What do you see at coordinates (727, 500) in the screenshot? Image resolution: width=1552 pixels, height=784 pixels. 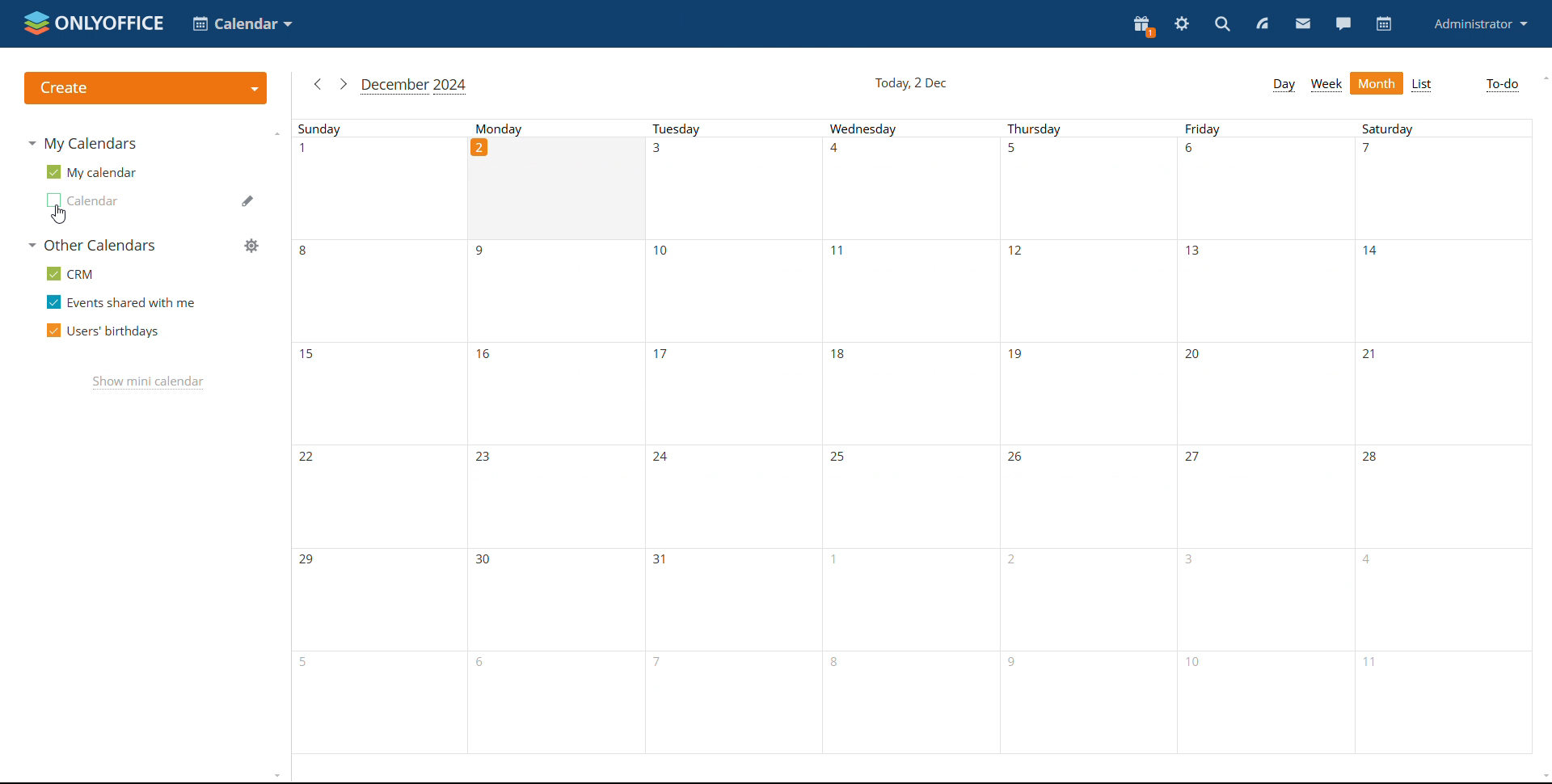 I see `24` at bounding box center [727, 500].